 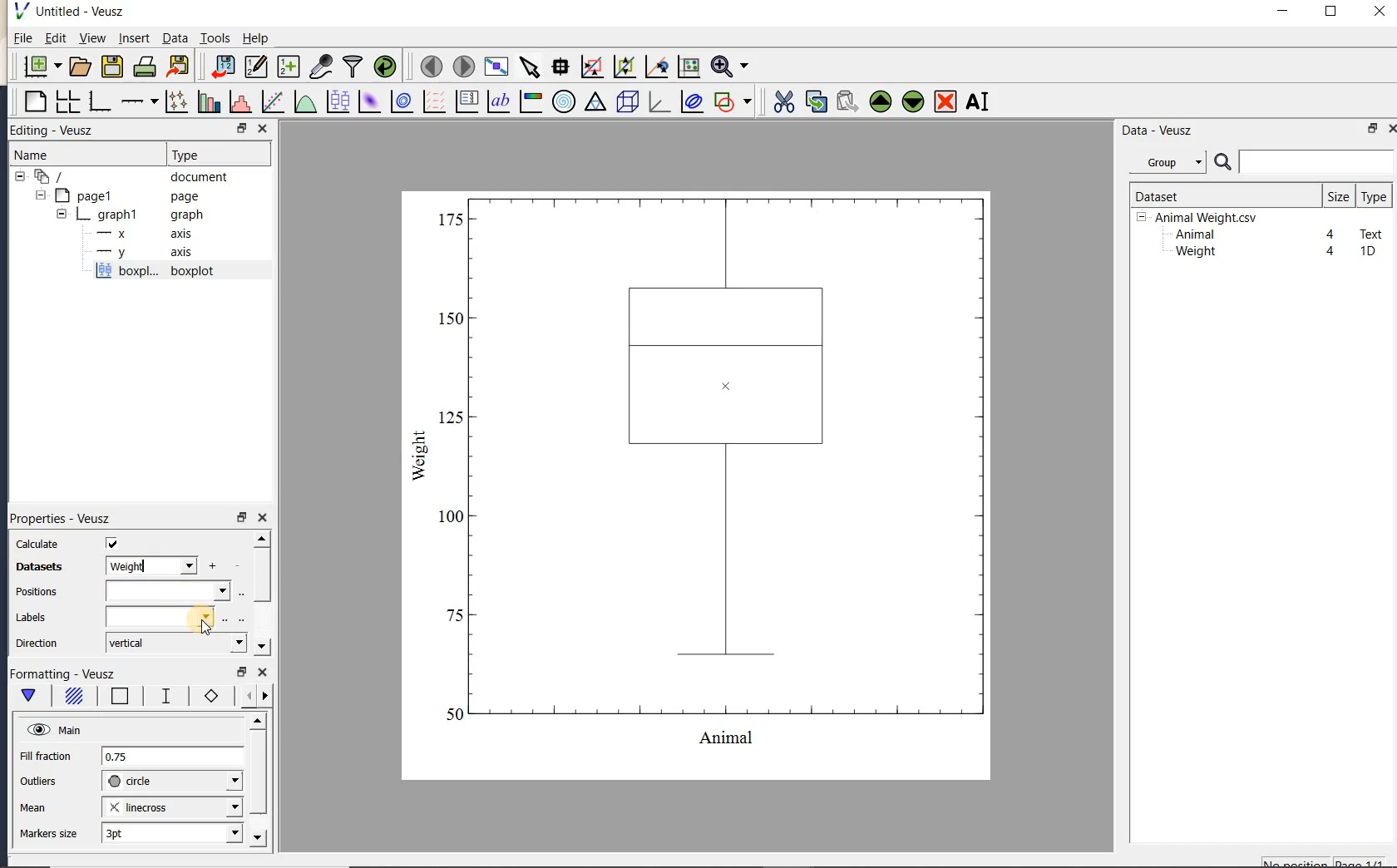 What do you see at coordinates (111, 67) in the screenshot?
I see `save the document` at bounding box center [111, 67].